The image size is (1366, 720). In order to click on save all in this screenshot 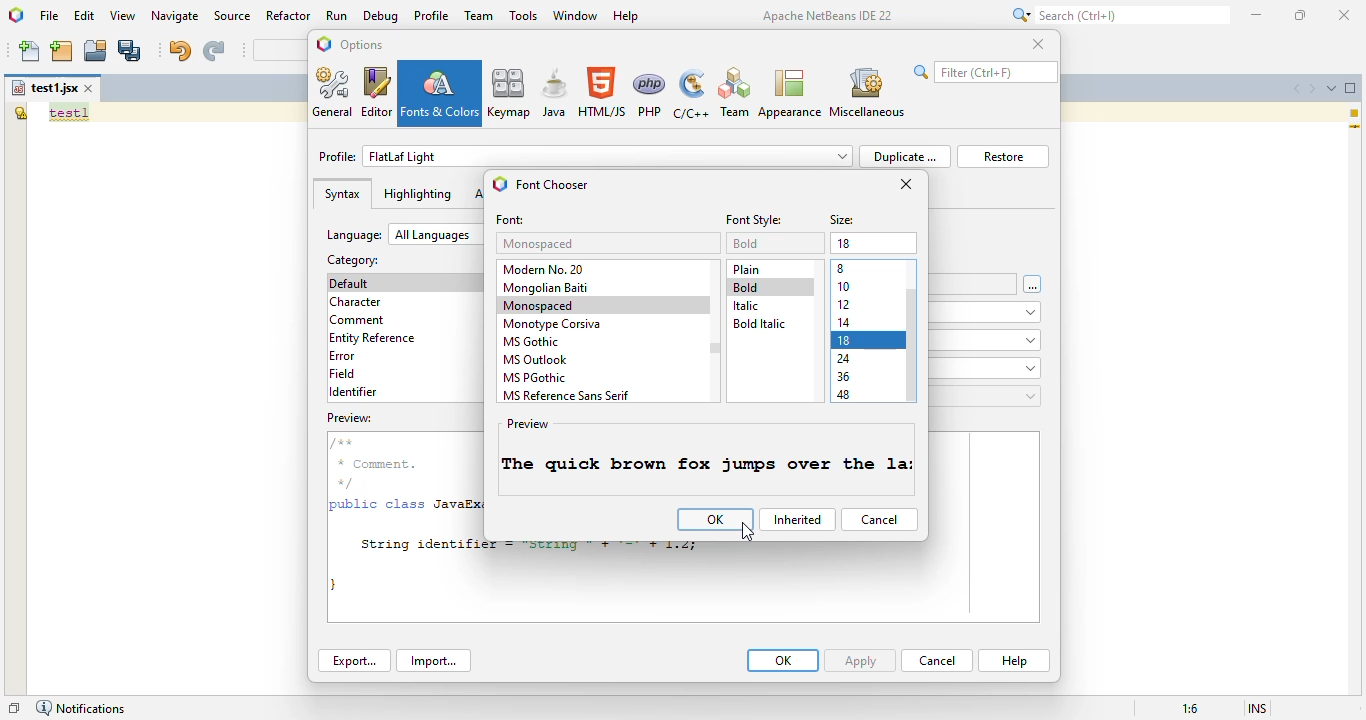, I will do `click(131, 50)`.